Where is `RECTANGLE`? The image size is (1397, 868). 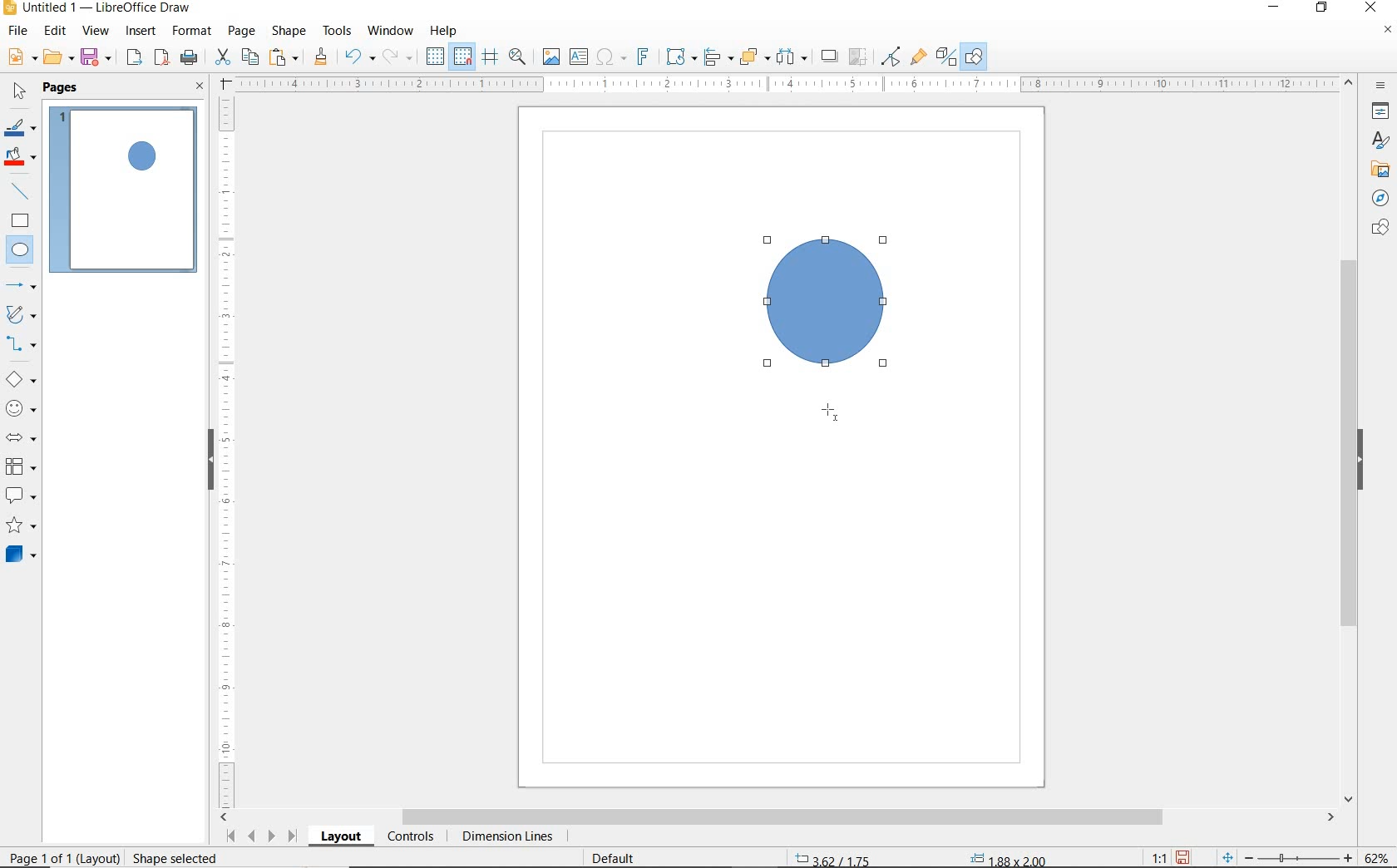
RECTANGLE is located at coordinates (20, 223).